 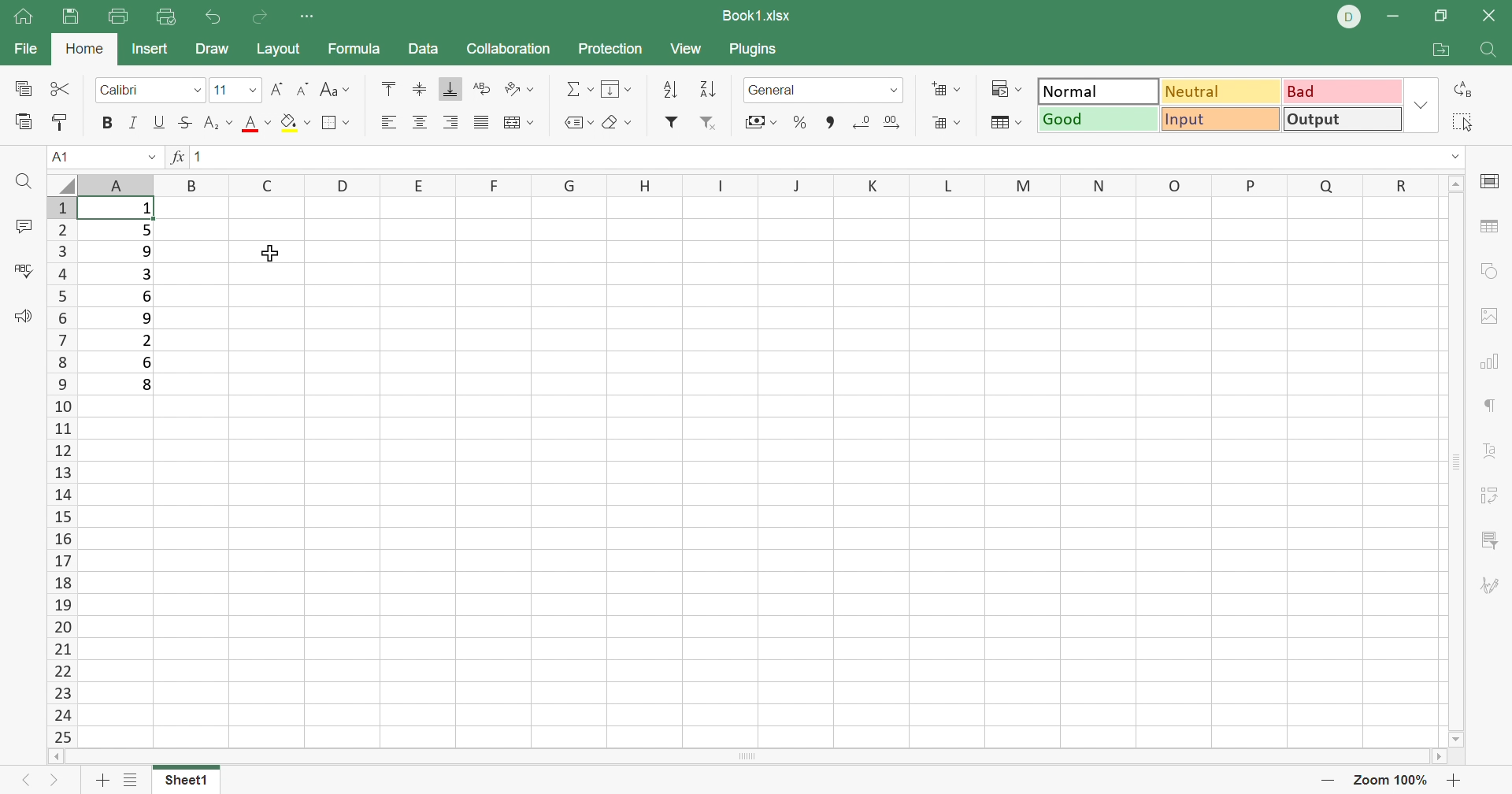 What do you see at coordinates (335, 87) in the screenshot?
I see `Change case` at bounding box center [335, 87].